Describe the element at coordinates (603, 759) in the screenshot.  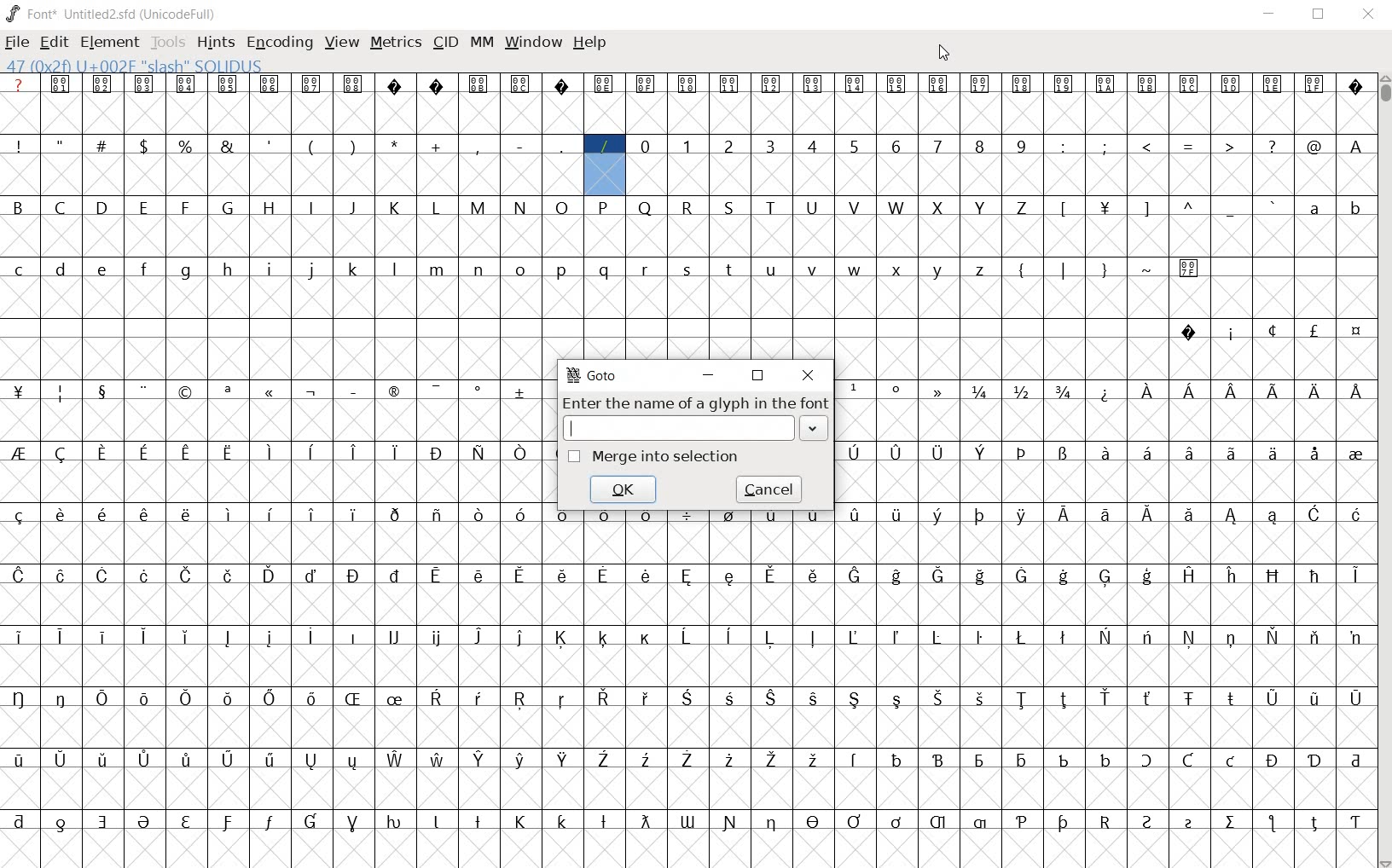
I see `glyph` at that location.